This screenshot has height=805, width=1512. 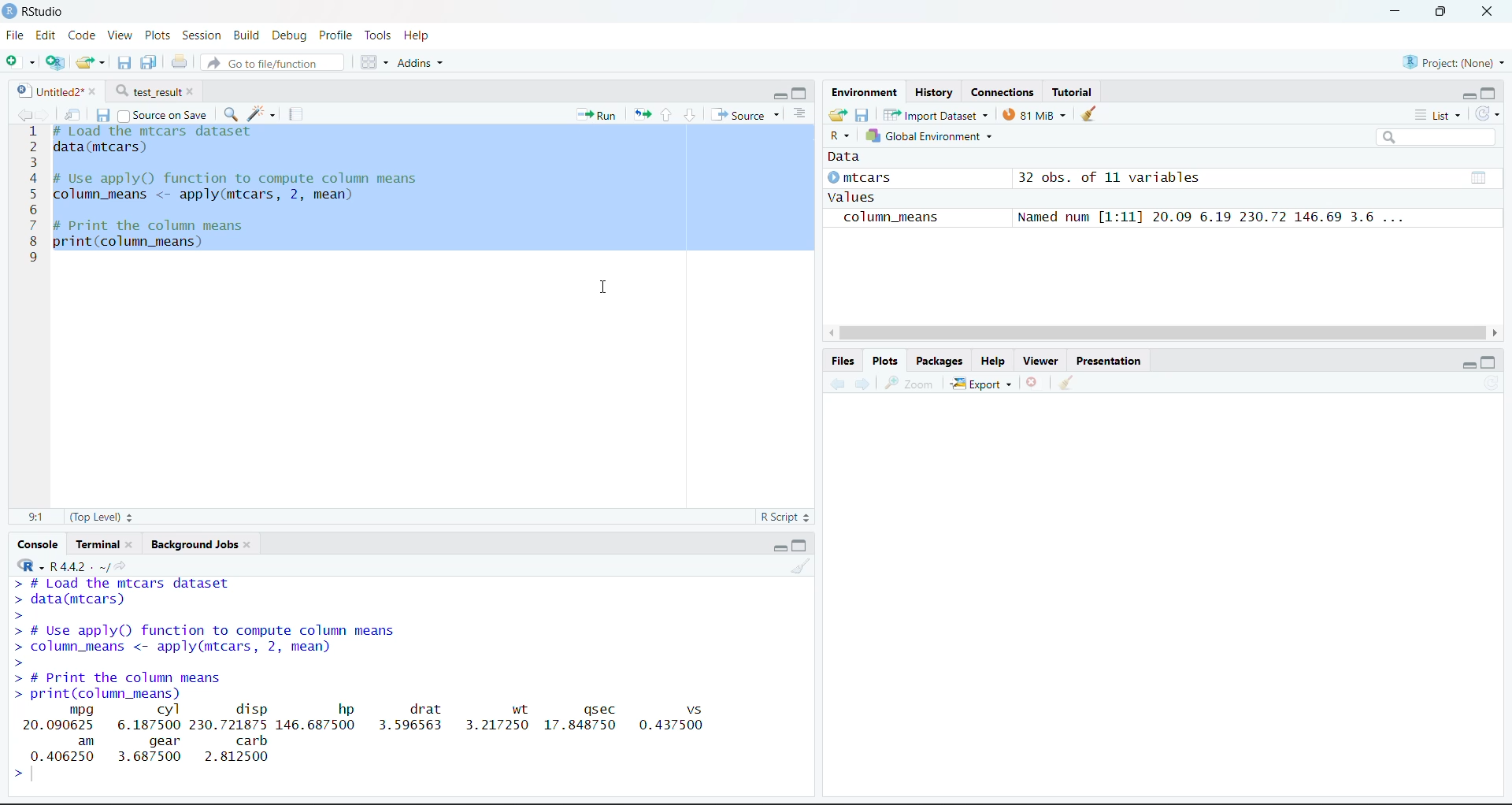 I want to click on Plots, so click(x=886, y=360).